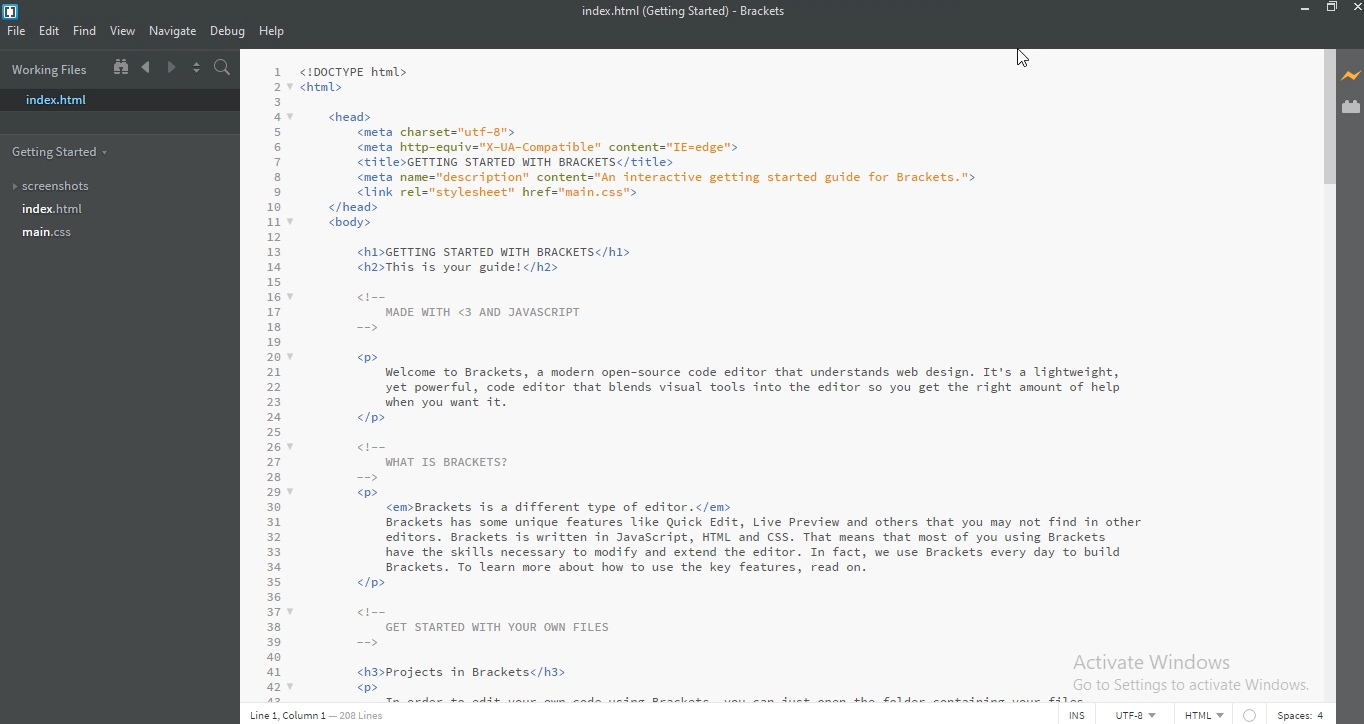  What do you see at coordinates (49, 232) in the screenshot?
I see `main.css` at bounding box center [49, 232].